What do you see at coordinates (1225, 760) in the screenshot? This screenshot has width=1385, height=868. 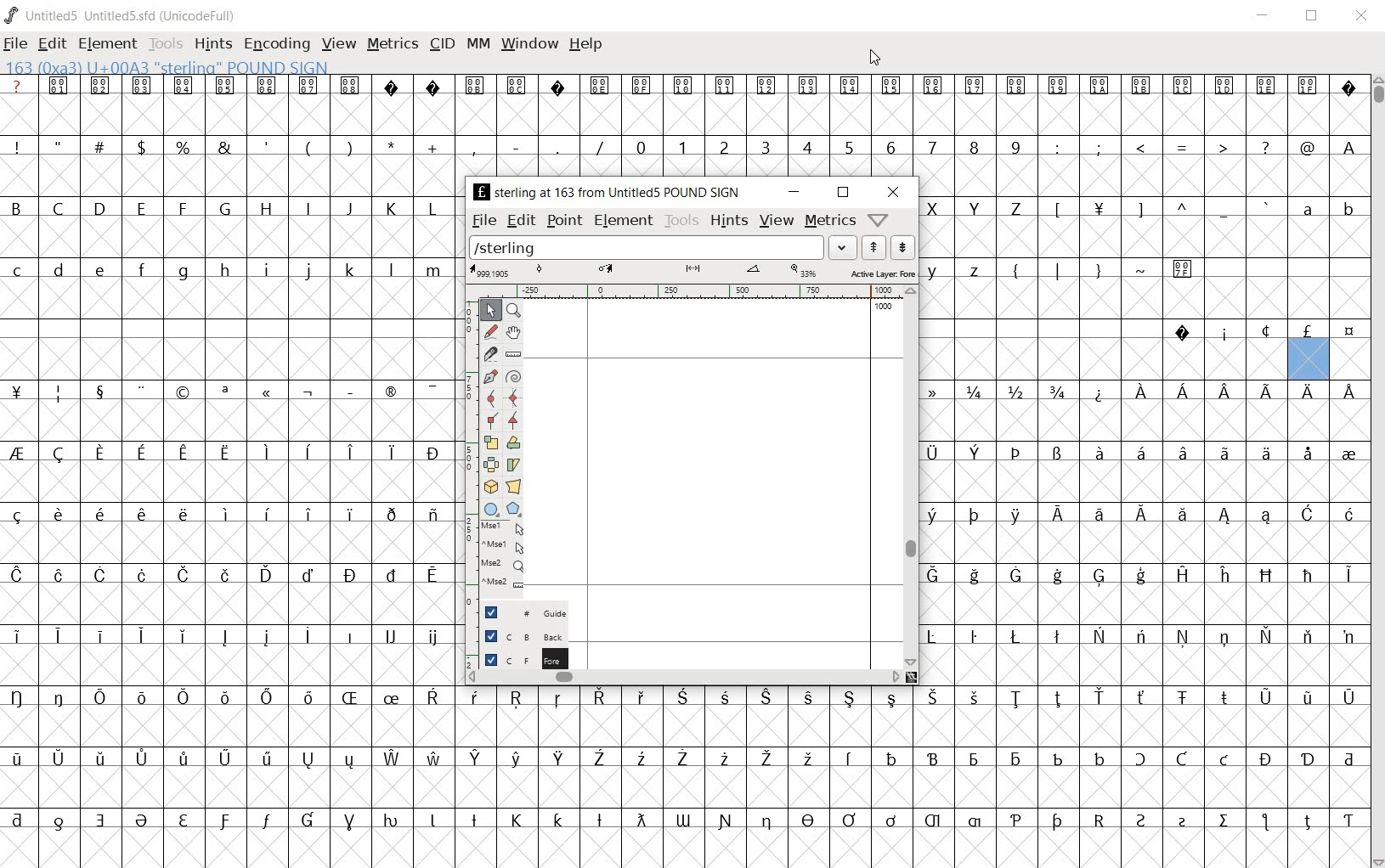 I see `Symbol` at bounding box center [1225, 760].